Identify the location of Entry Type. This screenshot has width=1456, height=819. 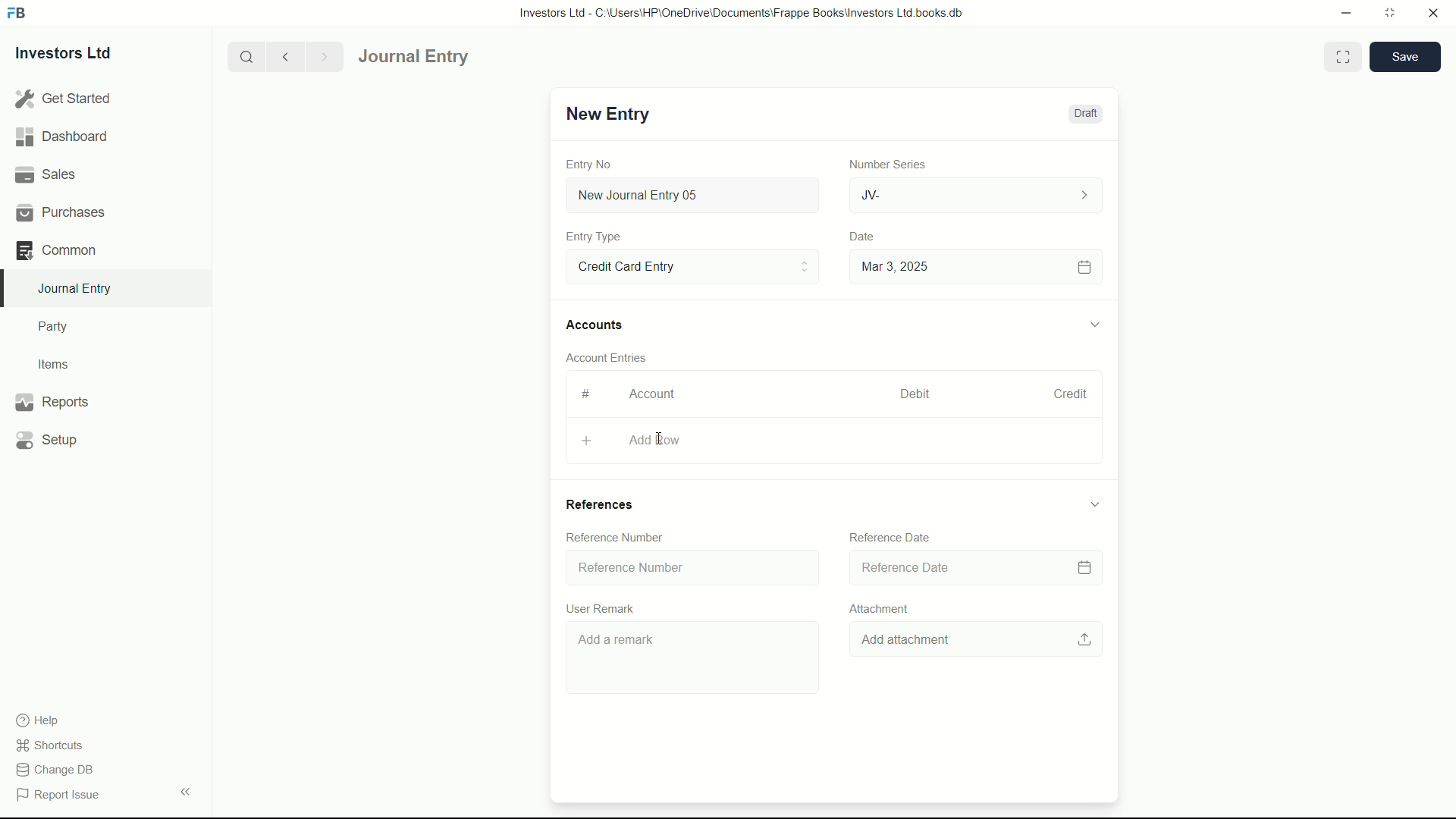
(594, 237).